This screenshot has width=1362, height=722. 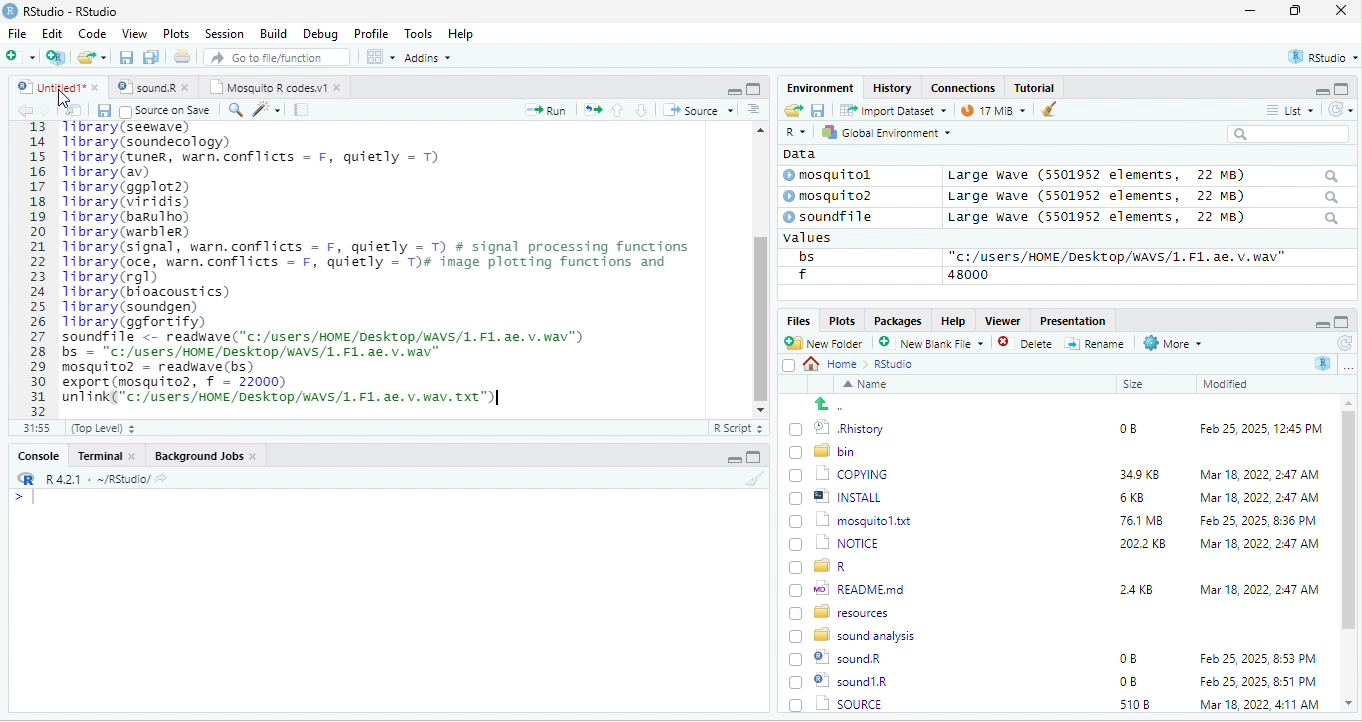 I want to click on  Name, so click(x=869, y=386).